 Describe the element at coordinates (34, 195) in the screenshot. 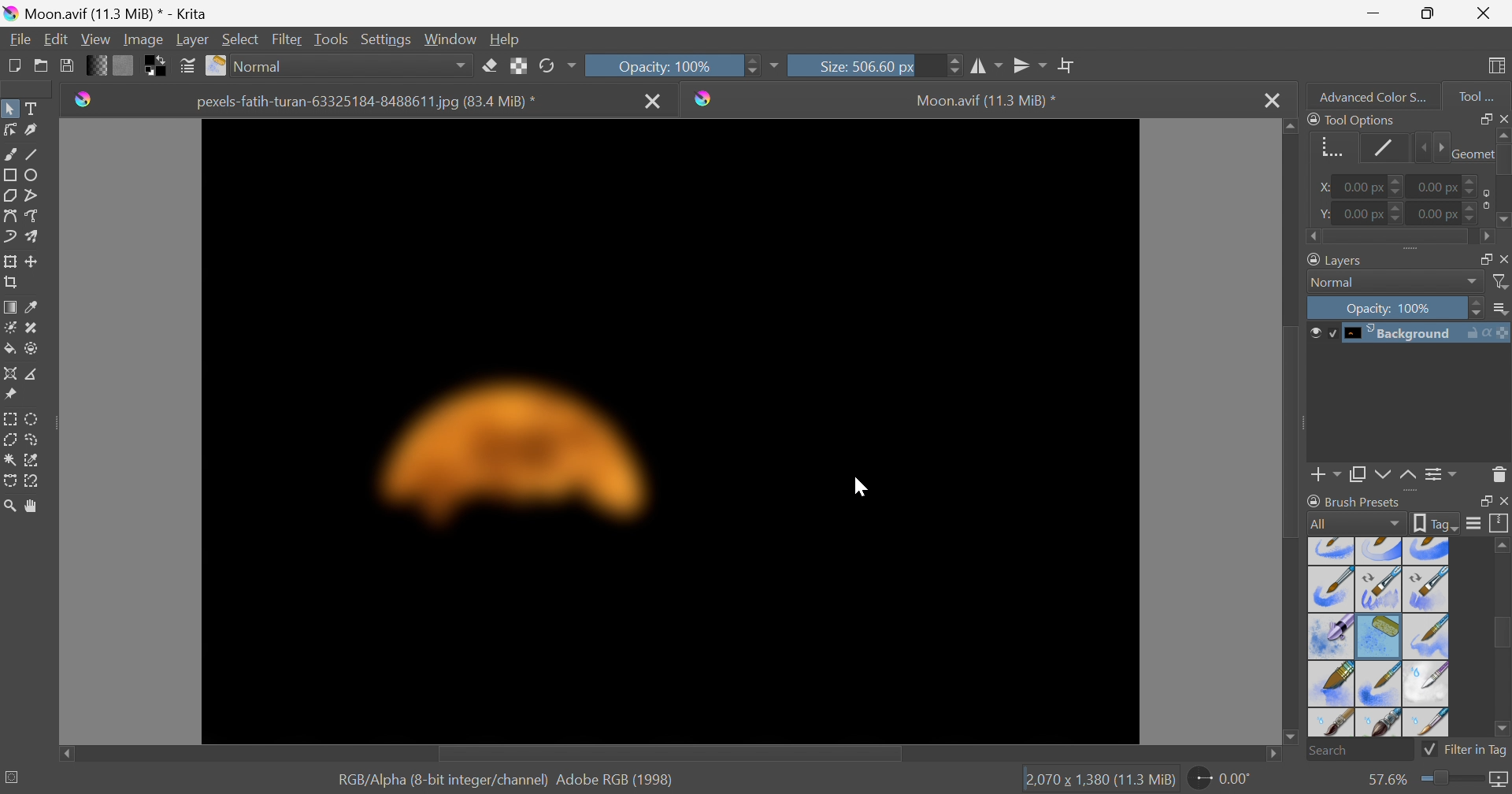

I see `Polyline tool` at that location.